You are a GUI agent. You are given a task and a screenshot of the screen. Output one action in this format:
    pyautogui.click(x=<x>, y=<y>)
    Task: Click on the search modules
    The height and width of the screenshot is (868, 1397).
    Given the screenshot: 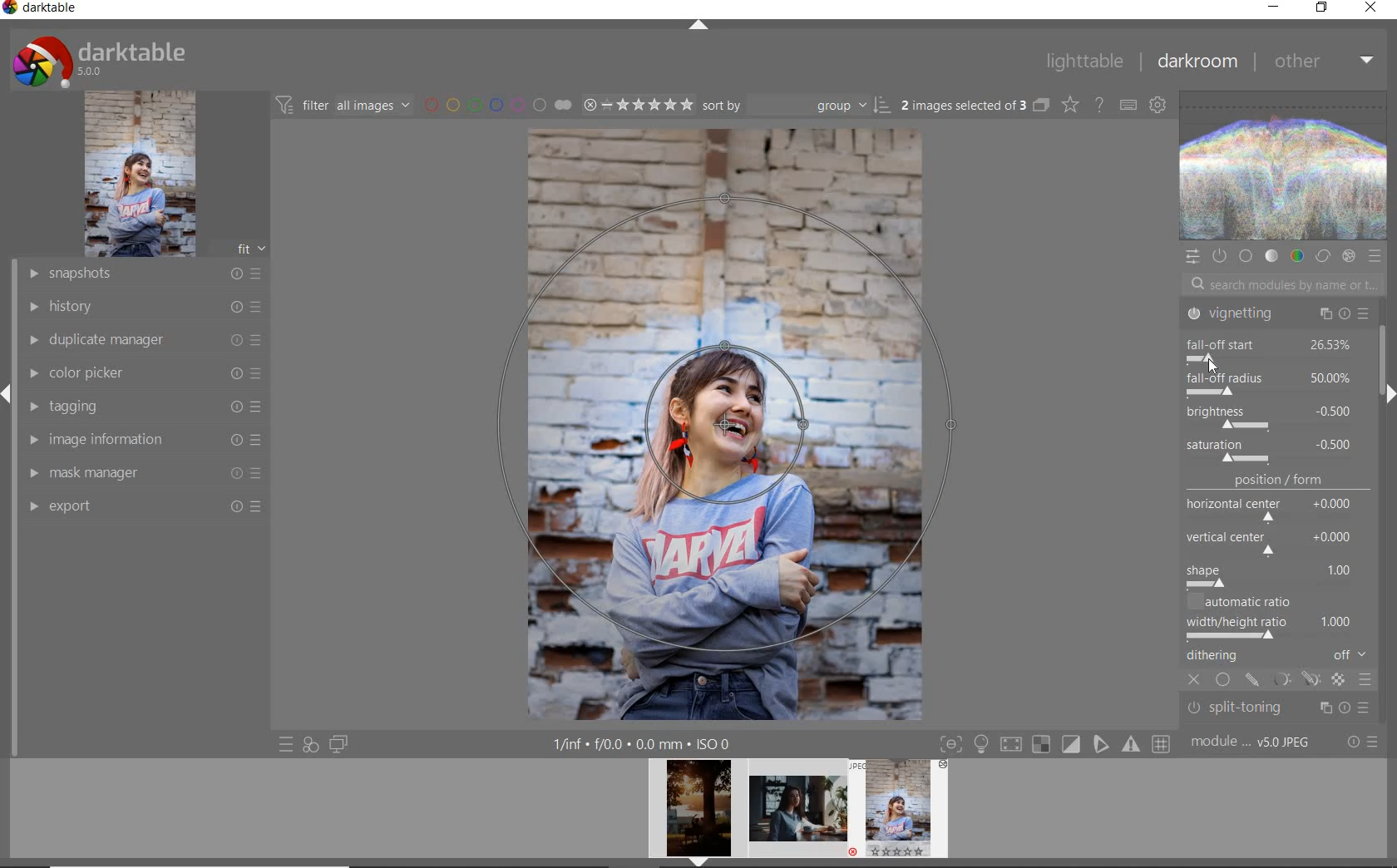 What is the action you would take?
    pyautogui.click(x=1279, y=287)
    